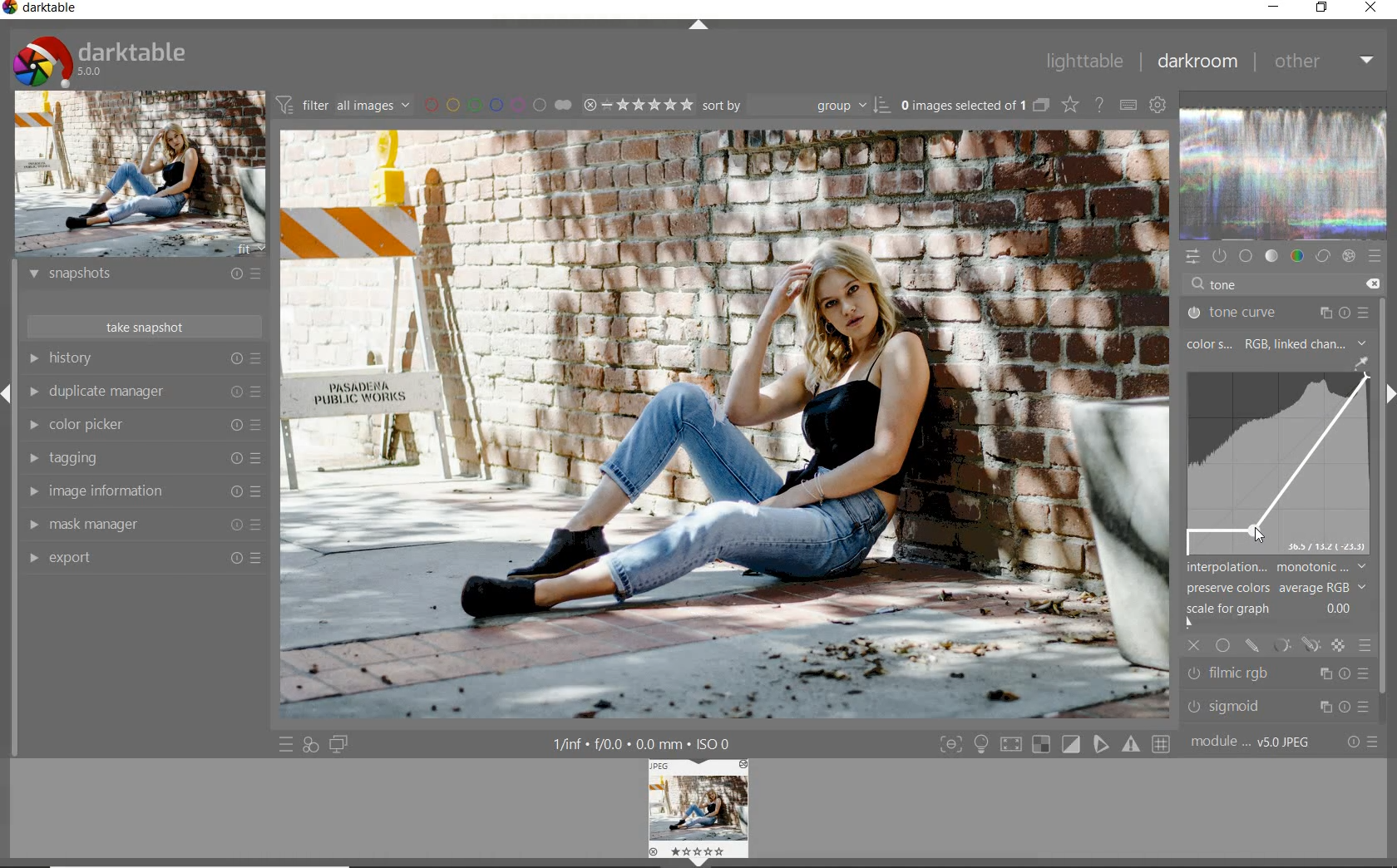 The image size is (1397, 868). Describe the element at coordinates (1360, 742) in the screenshot. I see `reset or presets & preferences` at that location.